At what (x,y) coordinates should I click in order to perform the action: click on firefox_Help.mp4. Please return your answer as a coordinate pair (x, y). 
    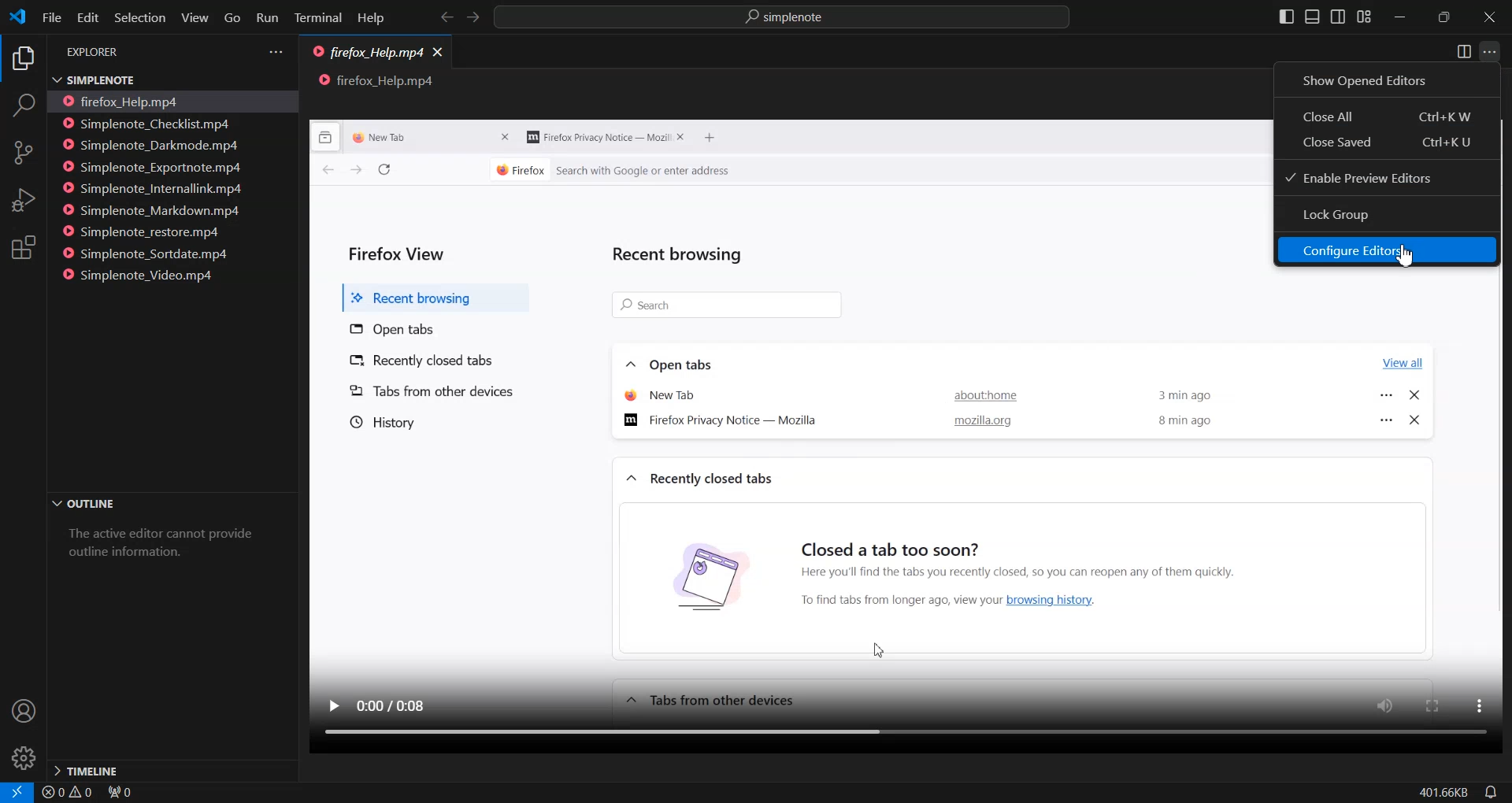
    Looking at the image, I should click on (367, 54).